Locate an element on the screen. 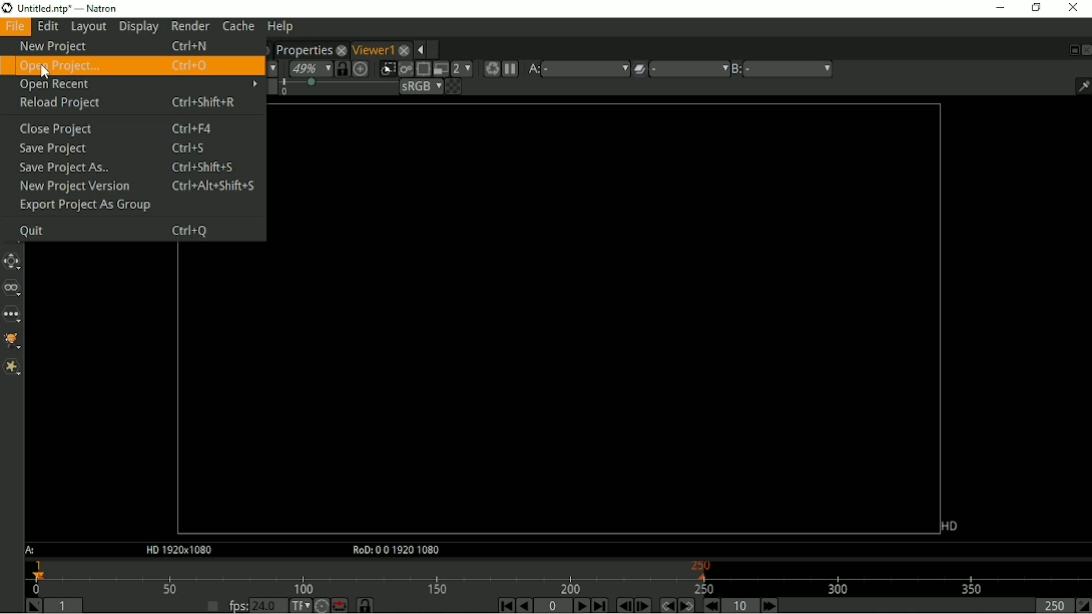 The width and height of the screenshot is (1092, 614). Save Project As is located at coordinates (129, 169).